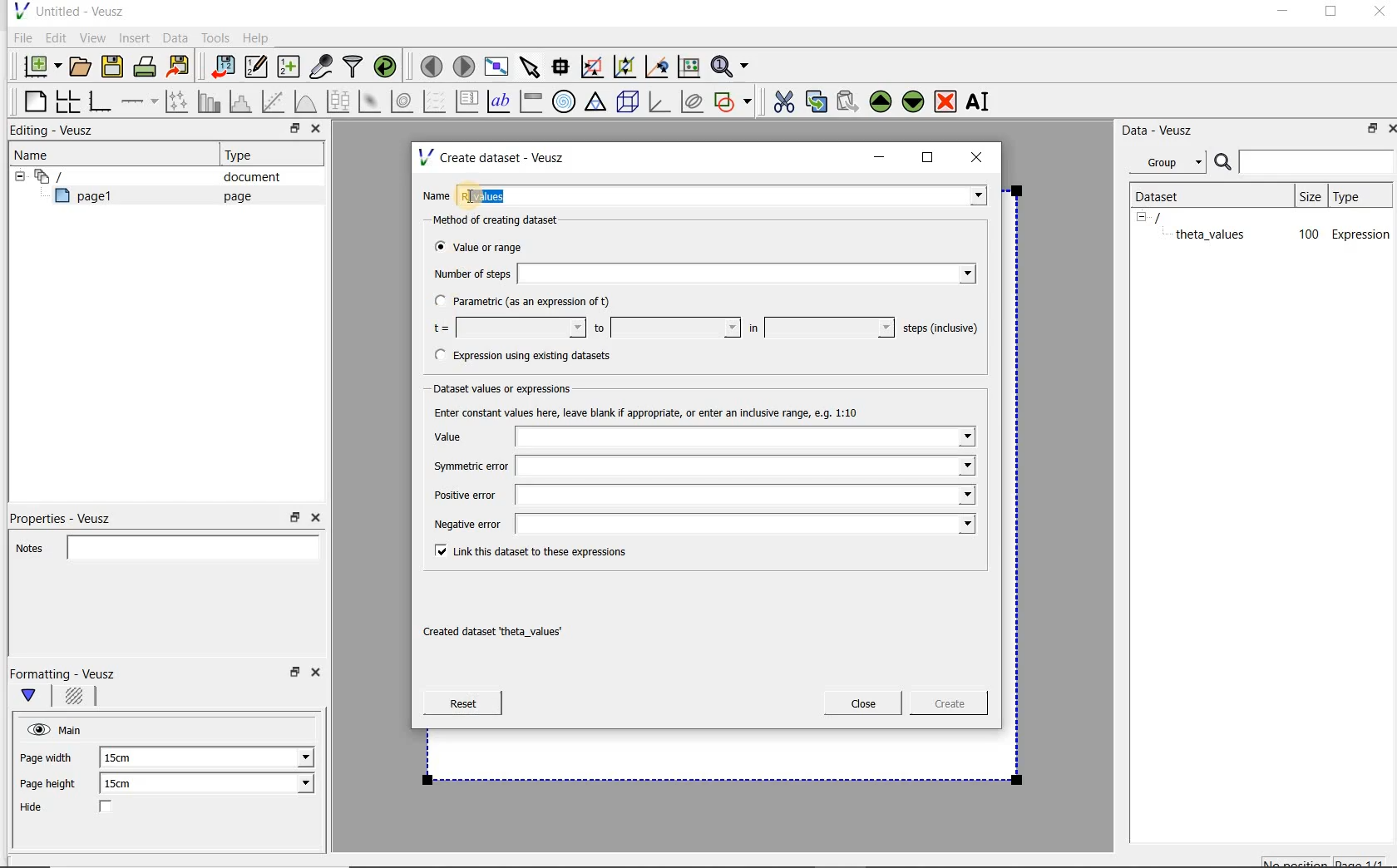 This screenshot has height=868, width=1397. Describe the element at coordinates (38, 64) in the screenshot. I see `new document` at that location.